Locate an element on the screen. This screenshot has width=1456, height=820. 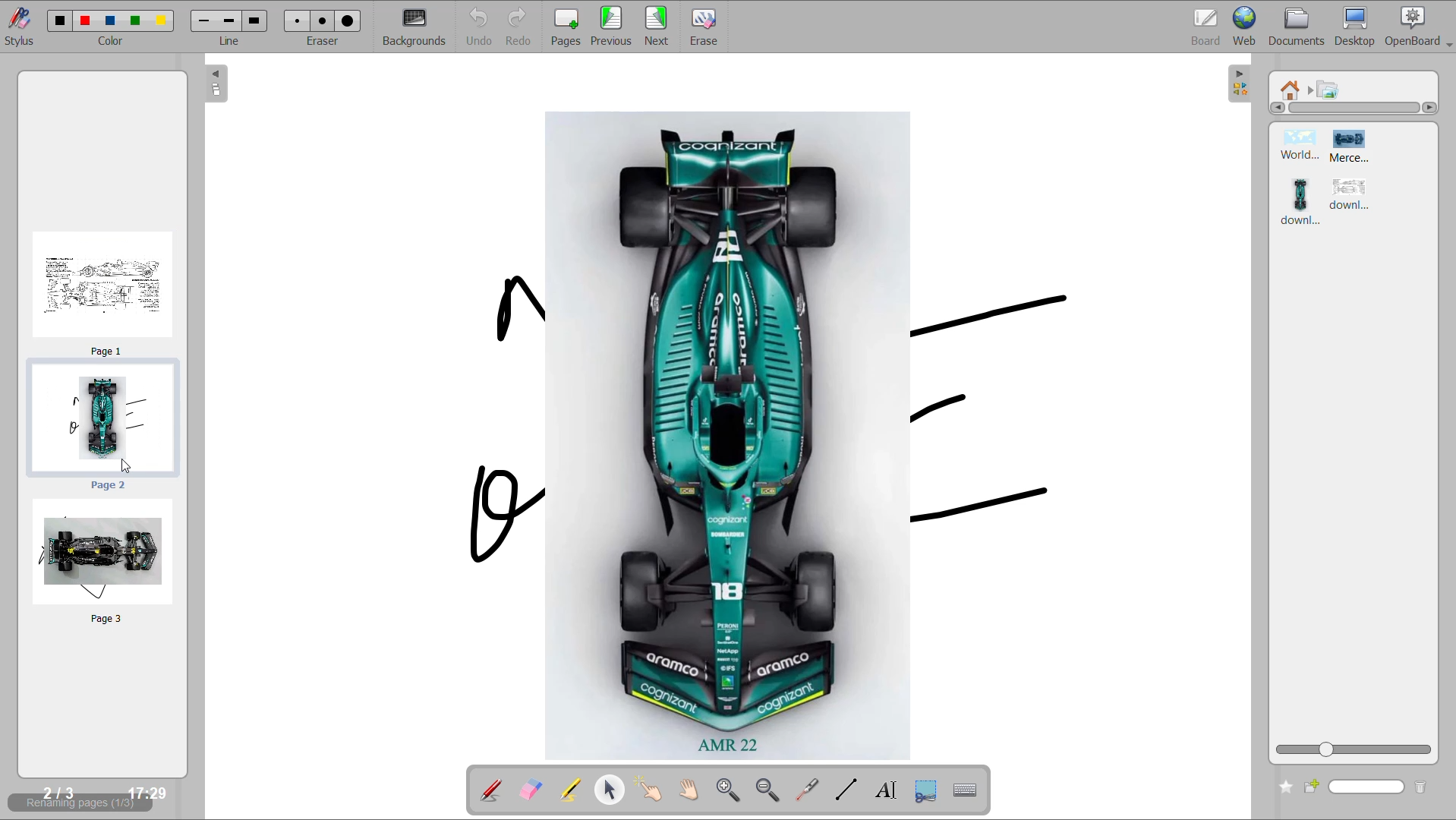
backgrounds is located at coordinates (416, 27).